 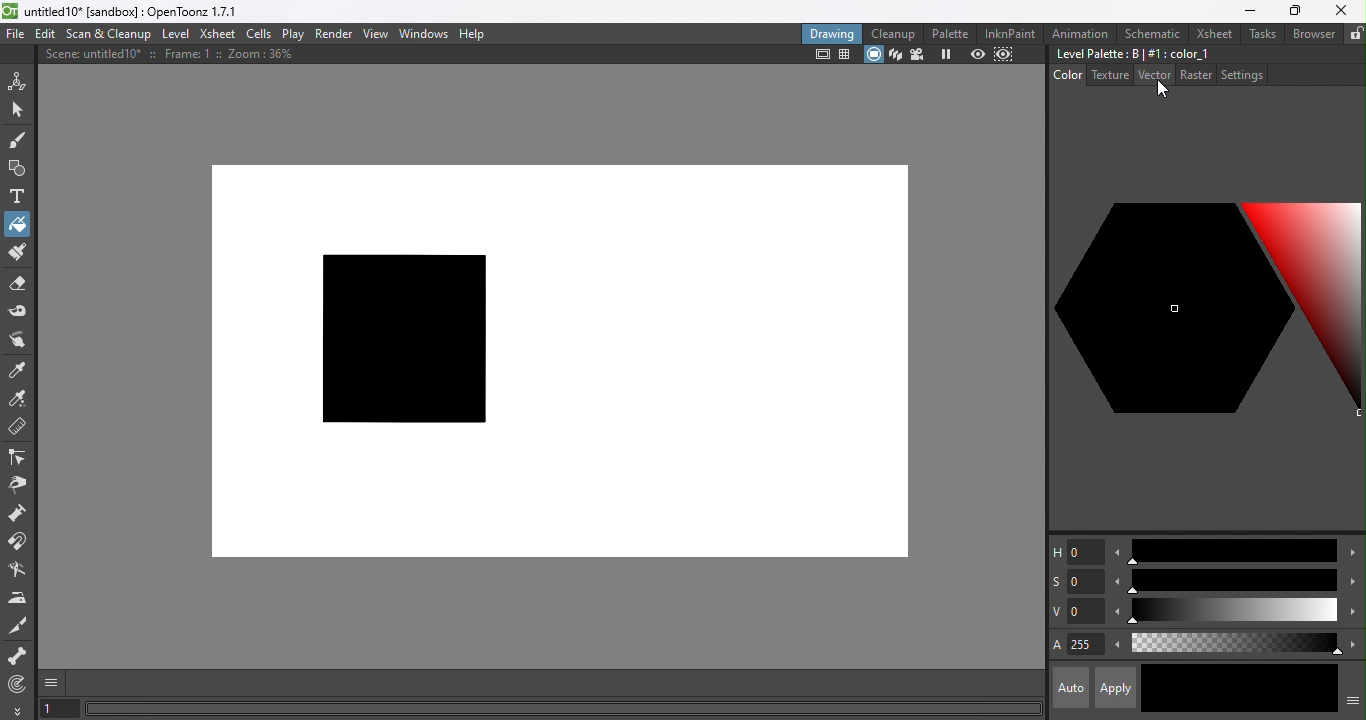 I want to click on Color, so click(x=1068, y=74).